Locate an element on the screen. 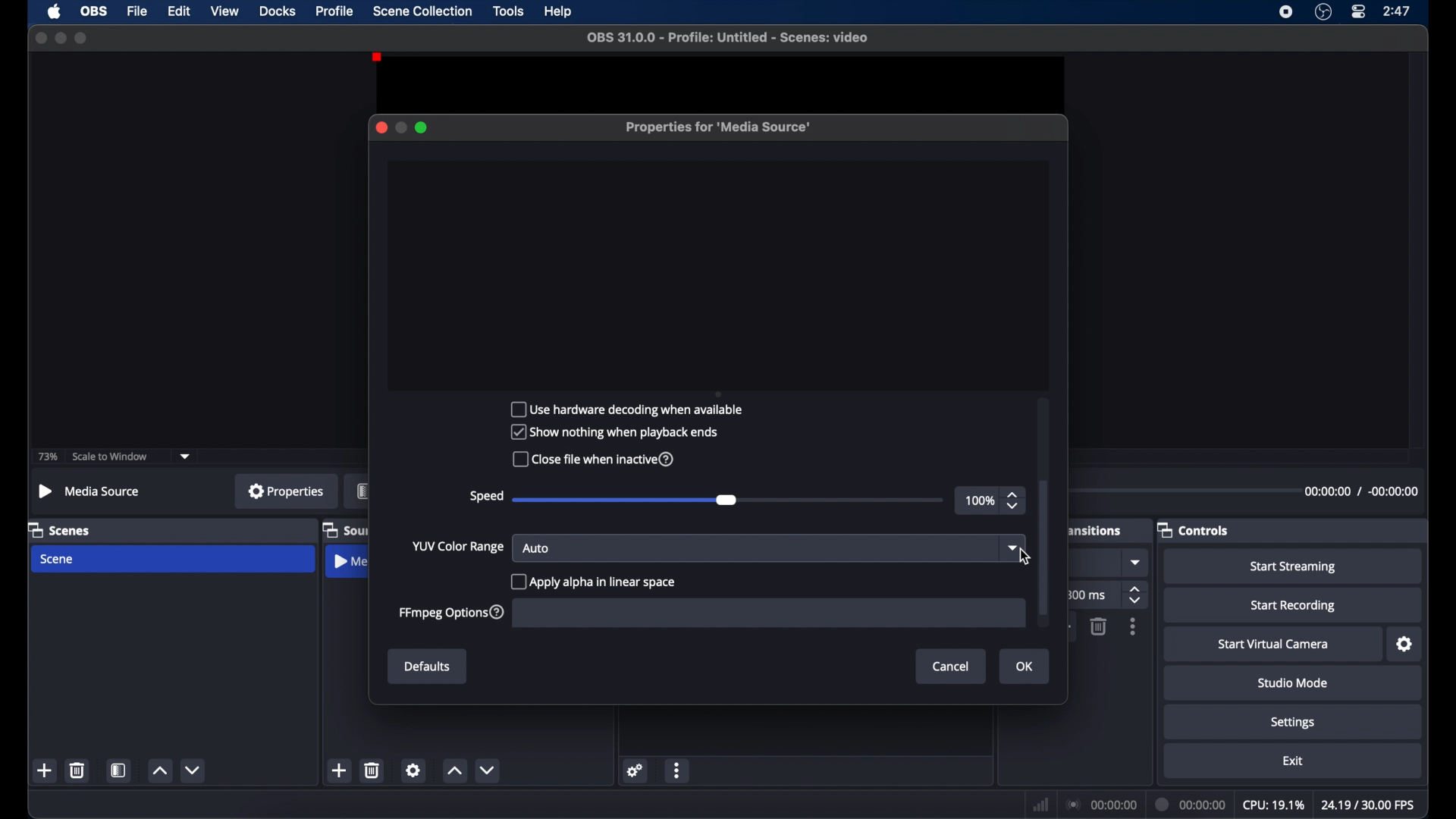 The height and width of the screenshot is (819, 1456). studio mode is located at coordinates (1293, 684).